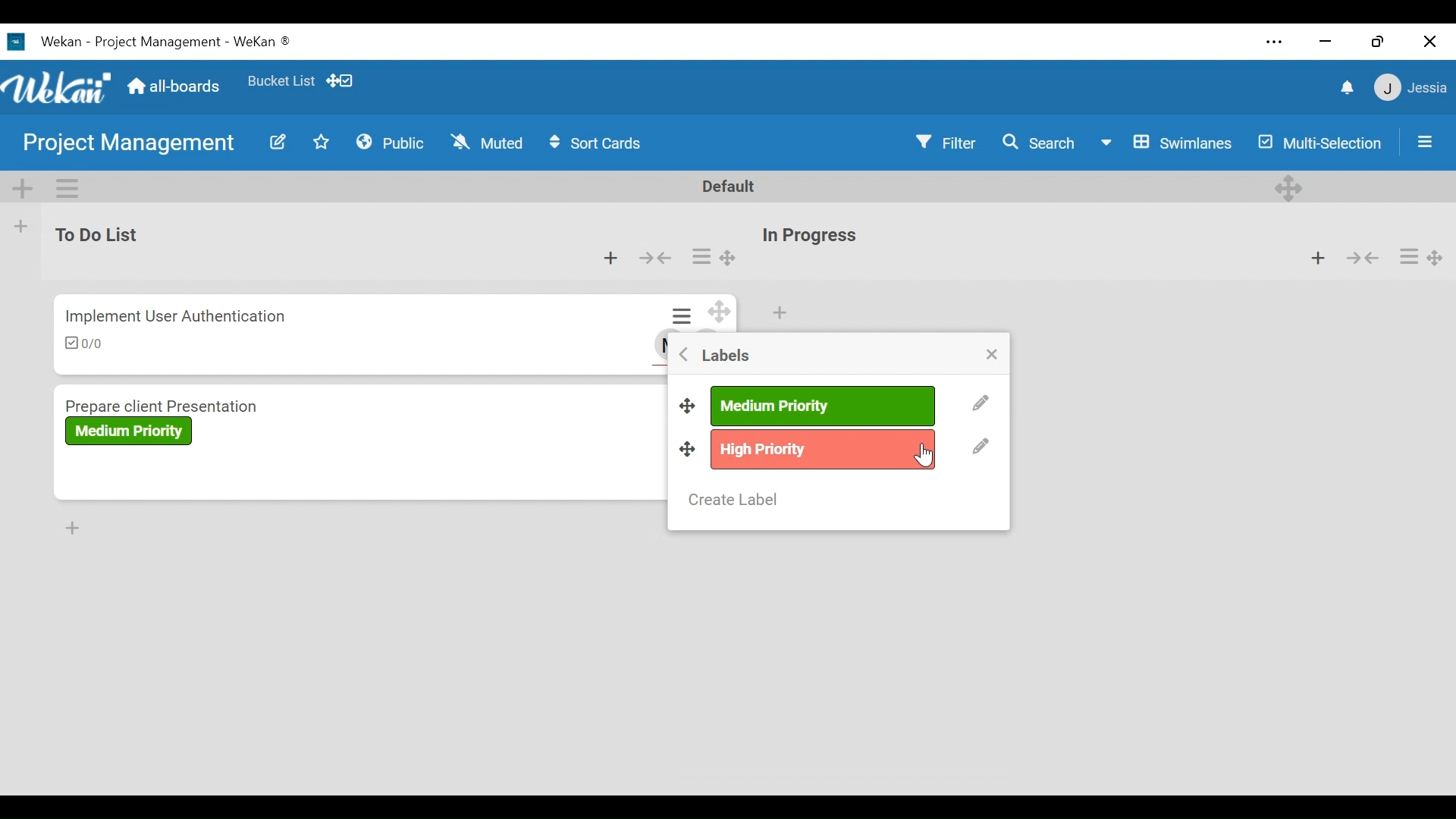 The width and height of the screenshot is (1456, 819). I want to click on Card actions, so click(1407, 256).